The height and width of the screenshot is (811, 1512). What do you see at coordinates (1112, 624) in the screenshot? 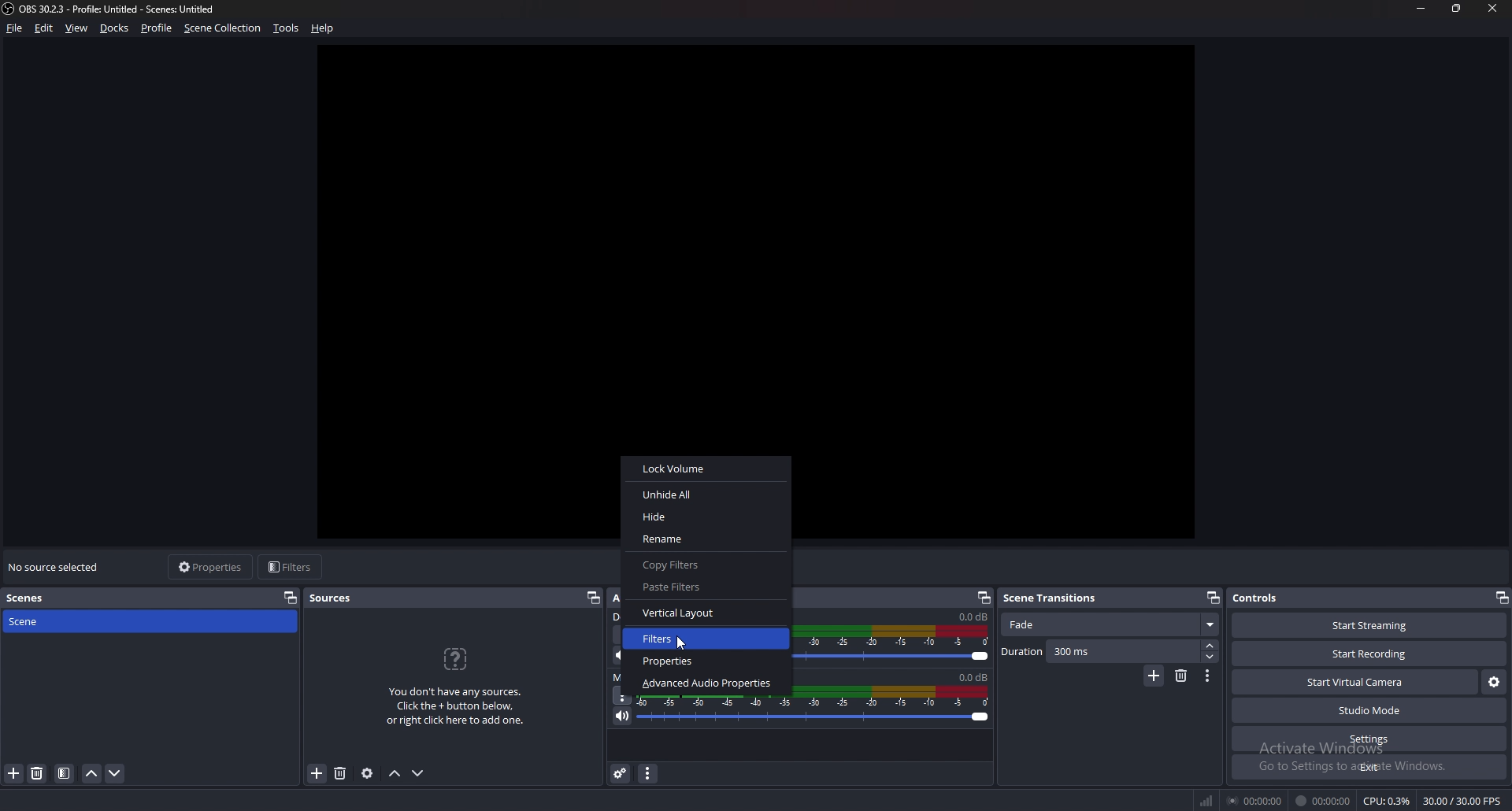
I see `scene` at bounding box center [1112, 624].